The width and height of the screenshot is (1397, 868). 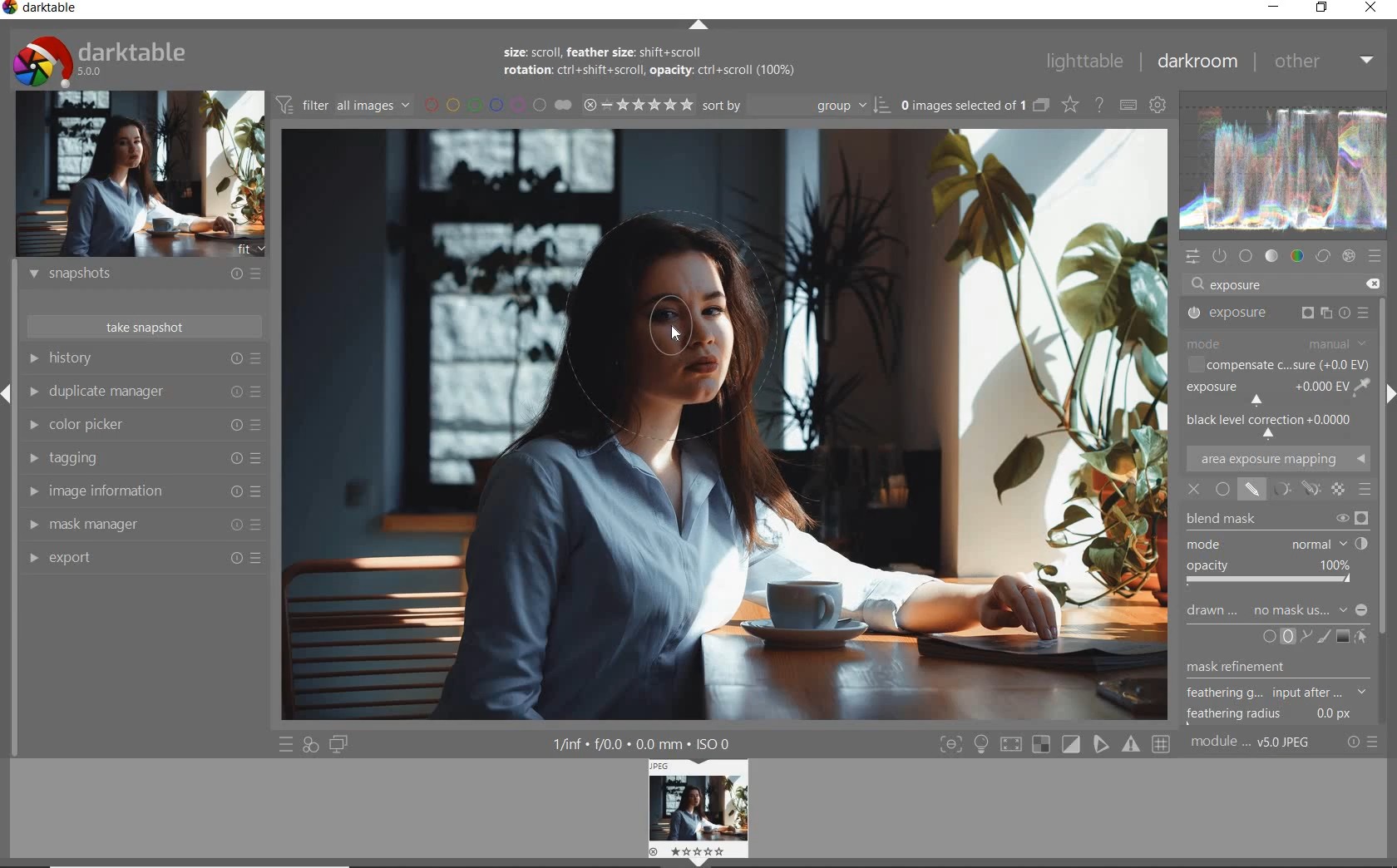 What do you see at coordinates (1197, 62) in the screenshot?
I see `darkroom` at bounding box center [1197, 62].